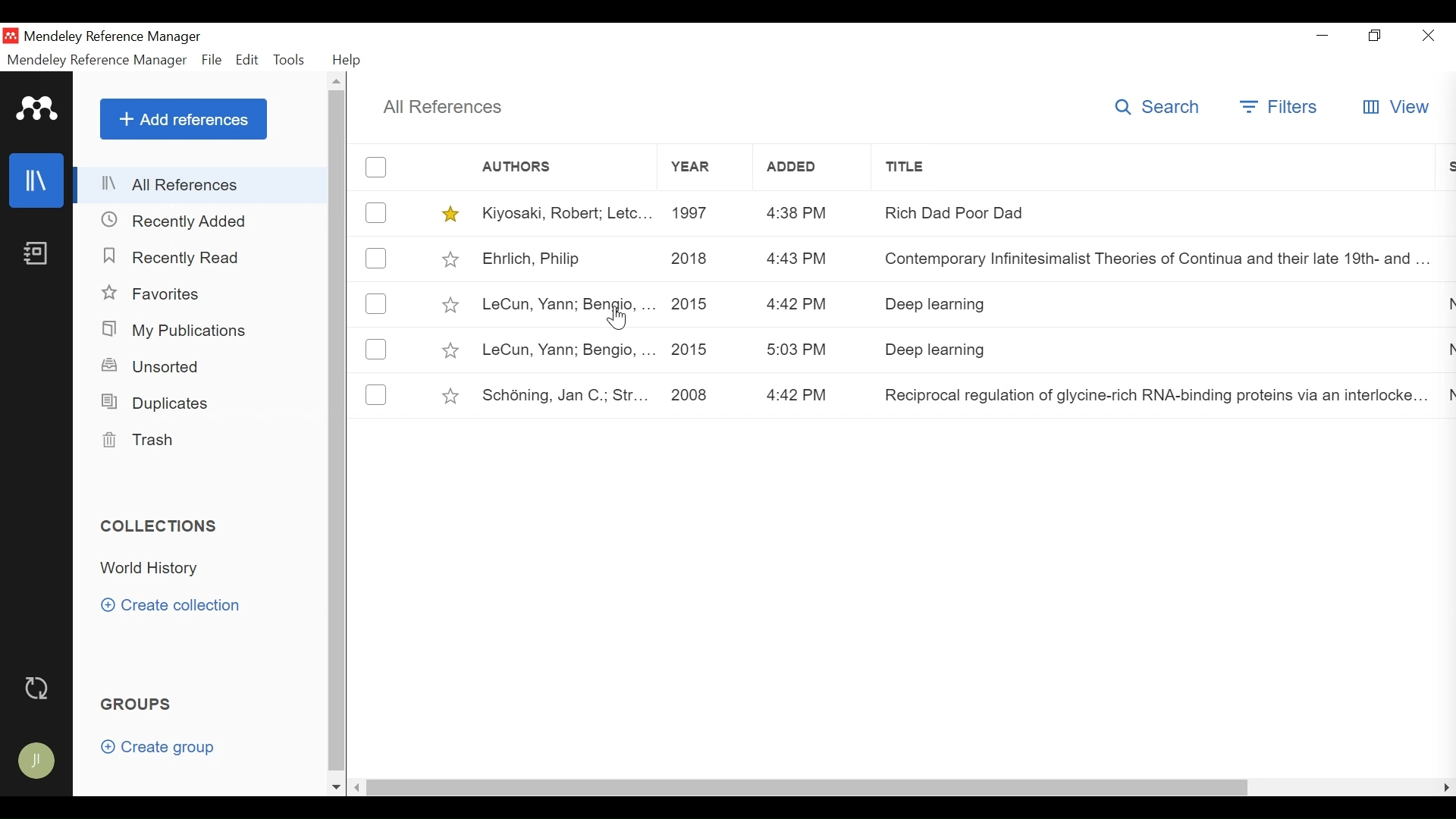 The width and height of the screenshot is (1456, 819). I want to click on Scroll down, so click(336, 787).